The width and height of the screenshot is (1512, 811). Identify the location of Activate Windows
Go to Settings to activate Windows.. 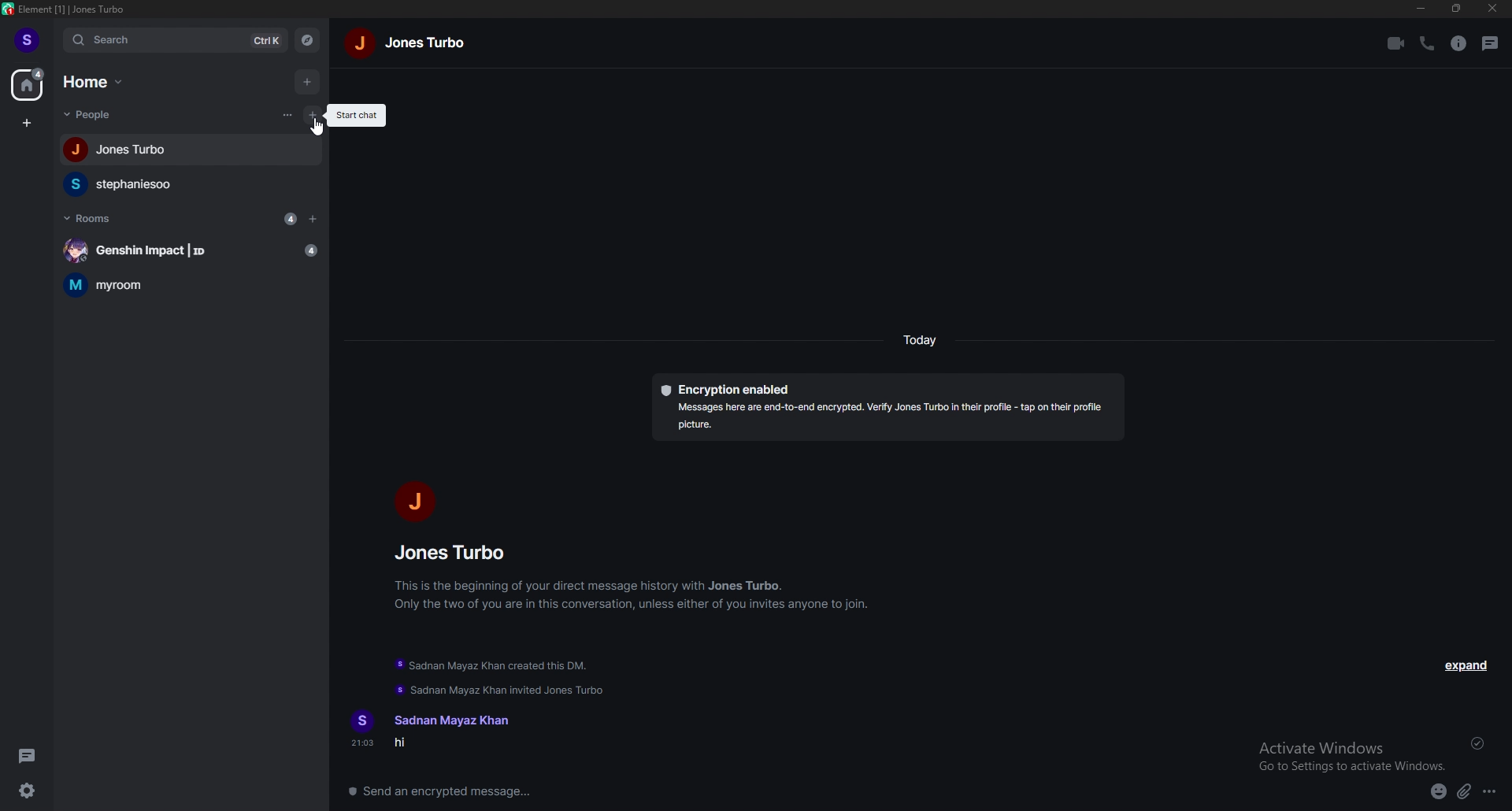
(1353, 754).